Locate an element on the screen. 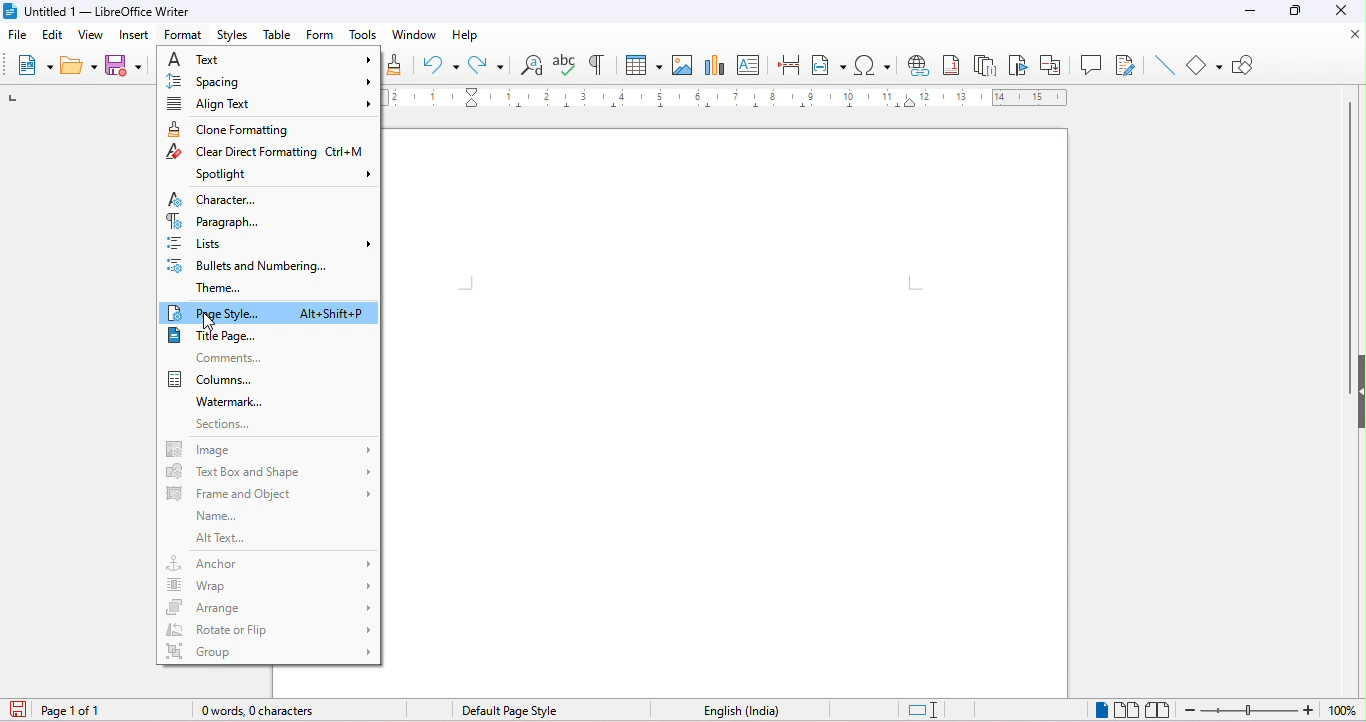   is located at coordinates (87, 34).